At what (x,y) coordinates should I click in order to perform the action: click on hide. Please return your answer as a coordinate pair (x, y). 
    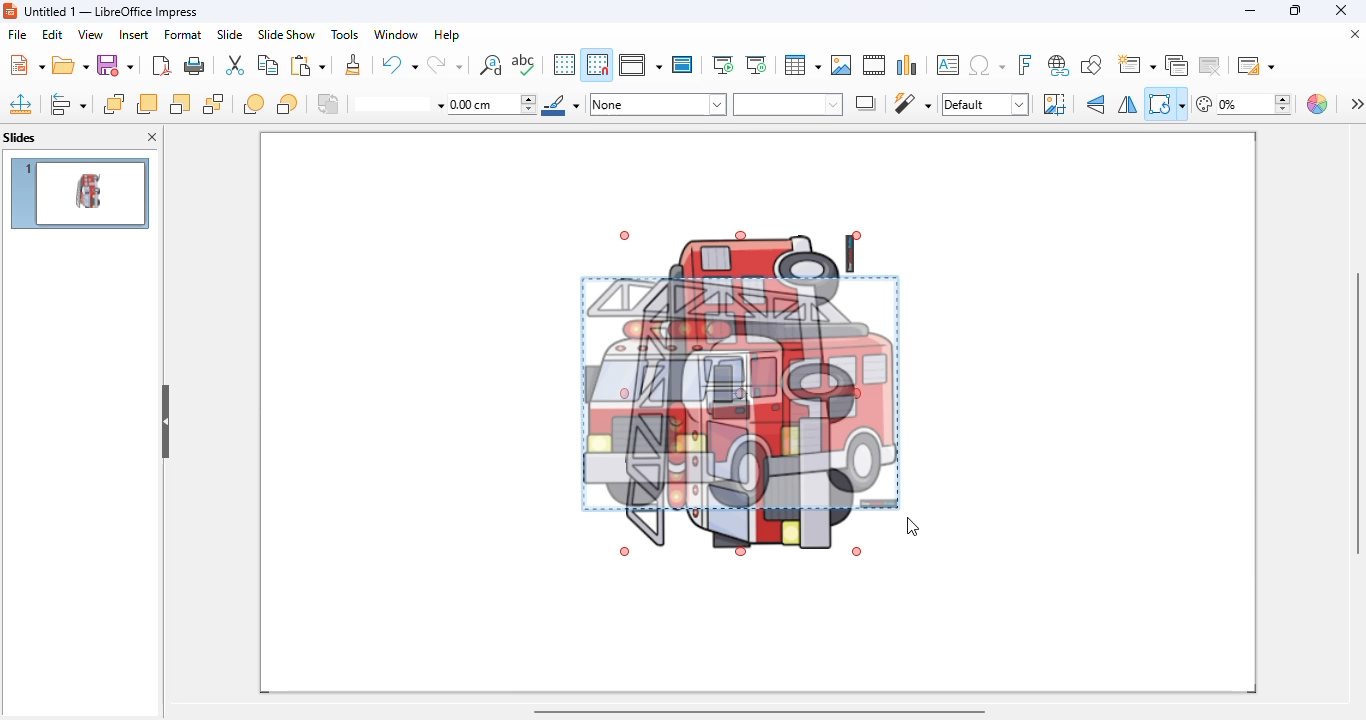
    Looking at the image, I should click on (165, 422).